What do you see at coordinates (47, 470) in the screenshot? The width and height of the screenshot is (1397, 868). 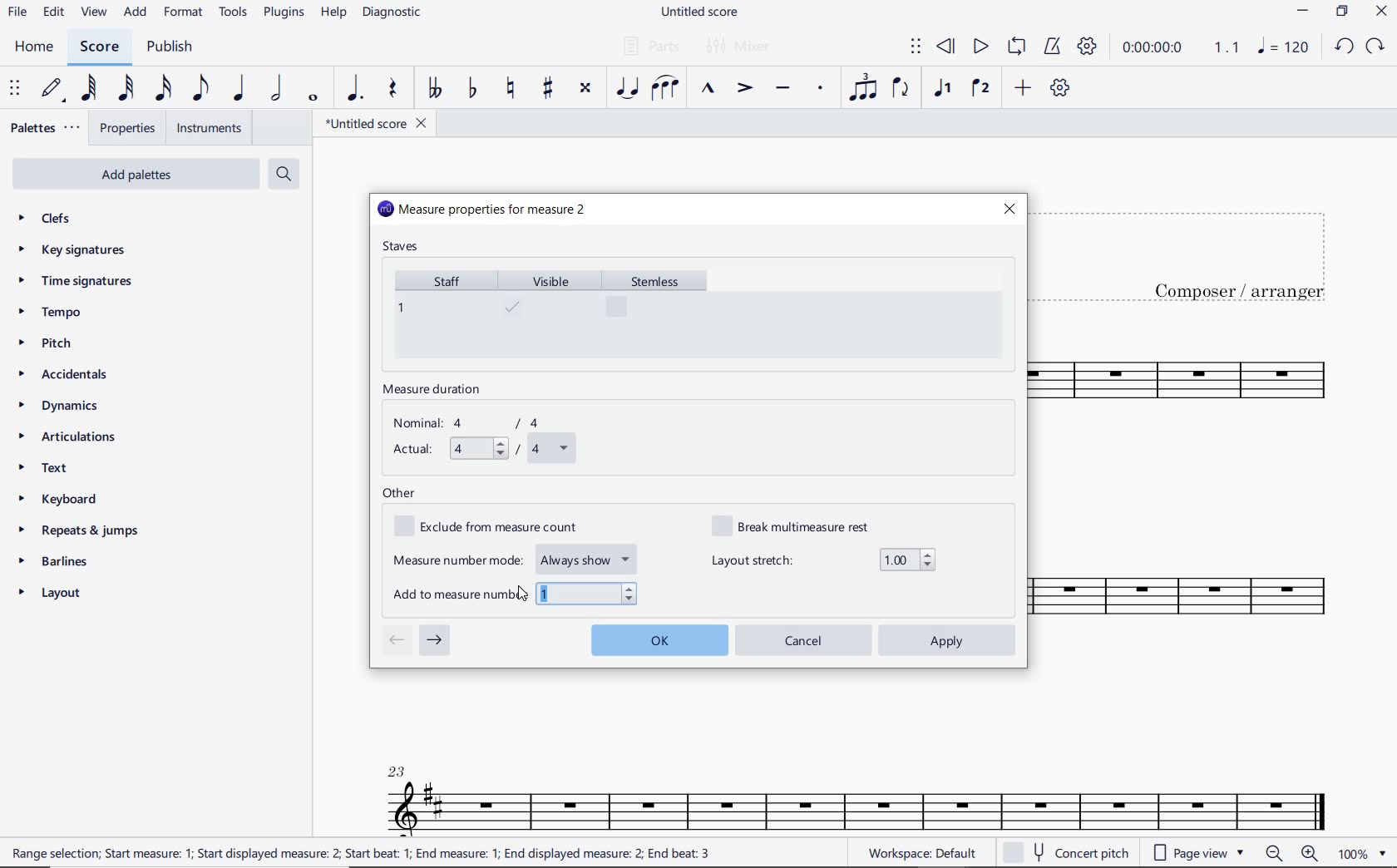 I see `TEXT` at bounding box center [47, 470].